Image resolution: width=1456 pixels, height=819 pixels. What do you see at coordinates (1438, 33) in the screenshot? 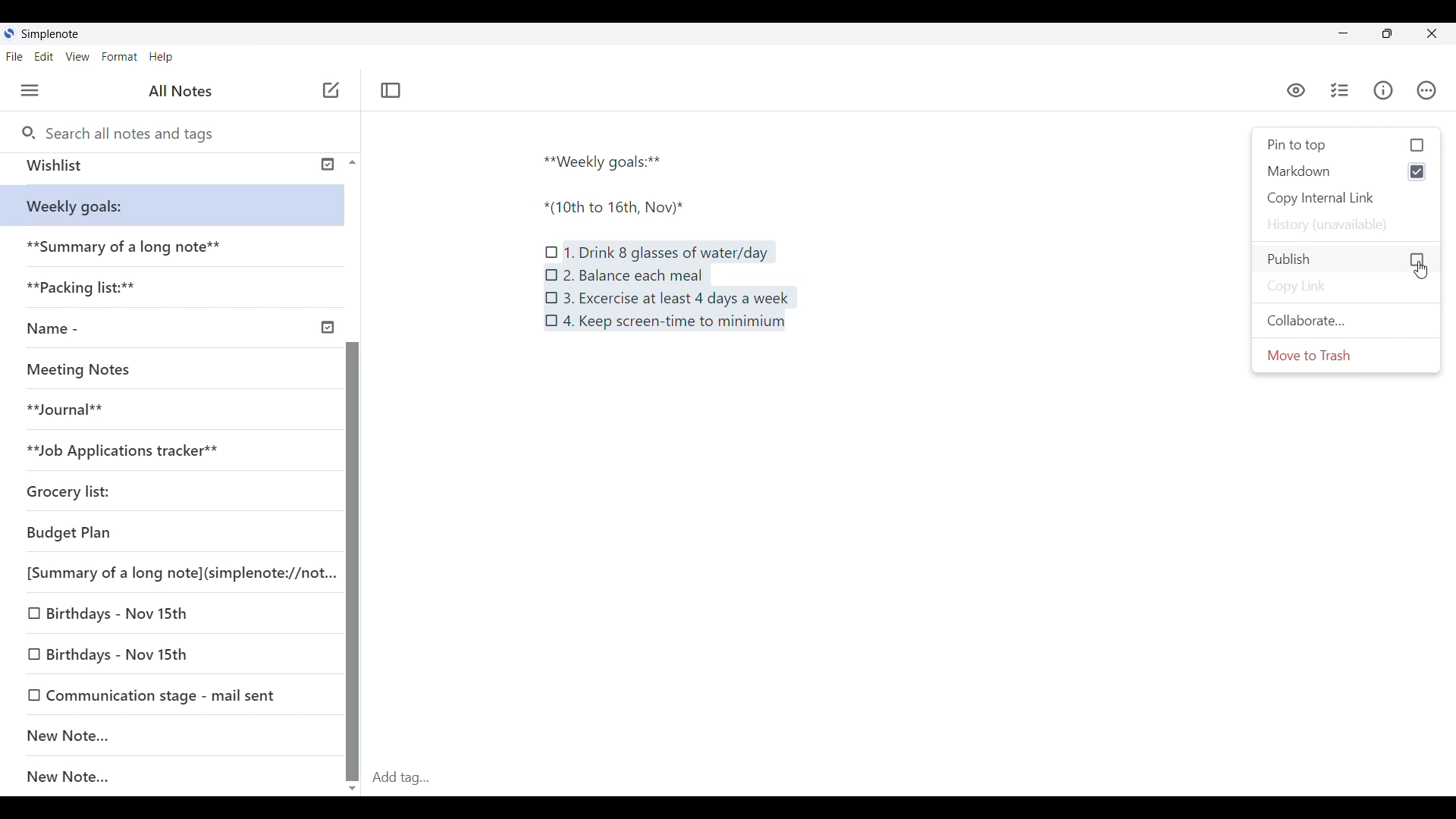
I see `Close` at bounding box center [1438, 33].